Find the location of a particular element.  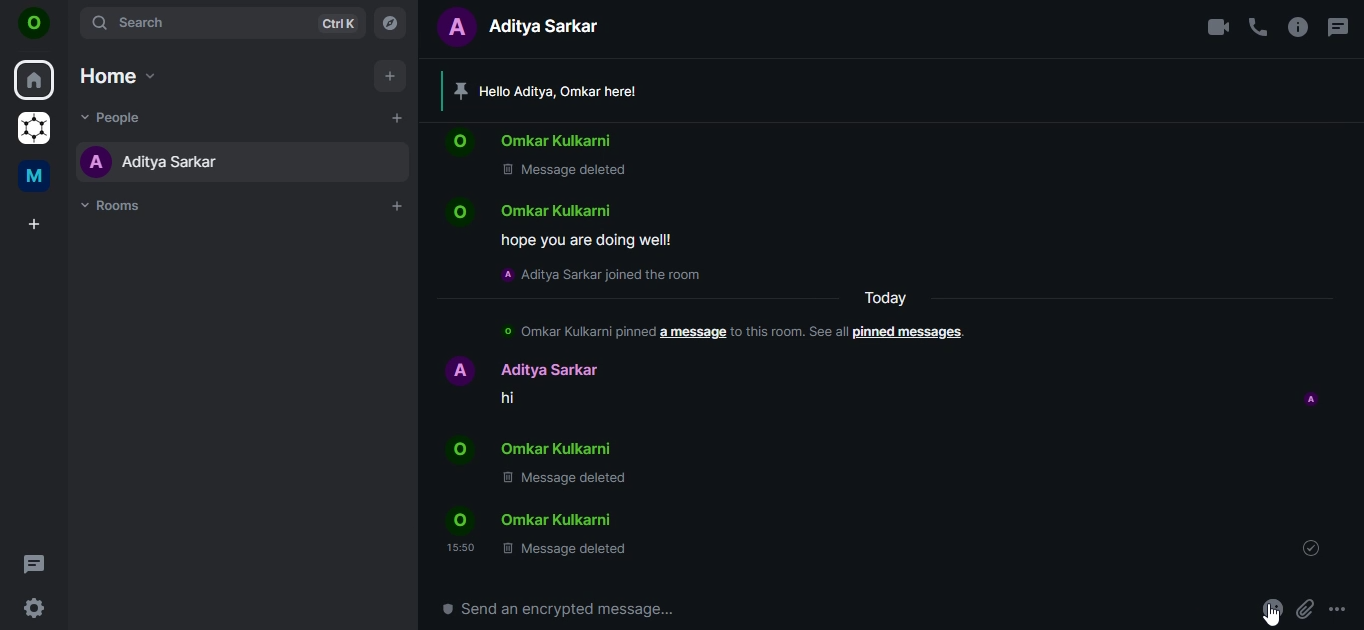

add is located at coordinates (390, 76).